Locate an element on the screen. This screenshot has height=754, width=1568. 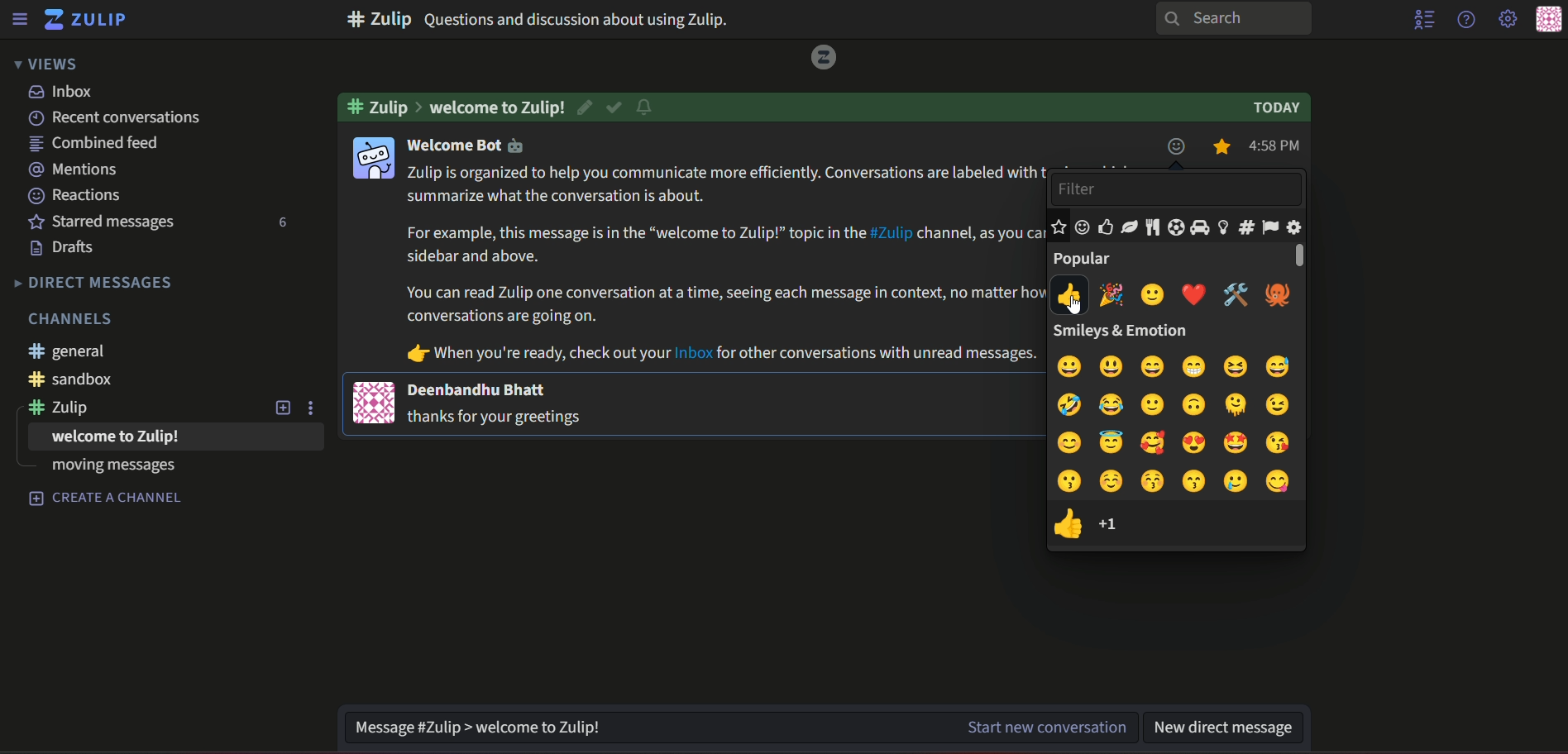
#Zulip is located at coordinates (385, 106).